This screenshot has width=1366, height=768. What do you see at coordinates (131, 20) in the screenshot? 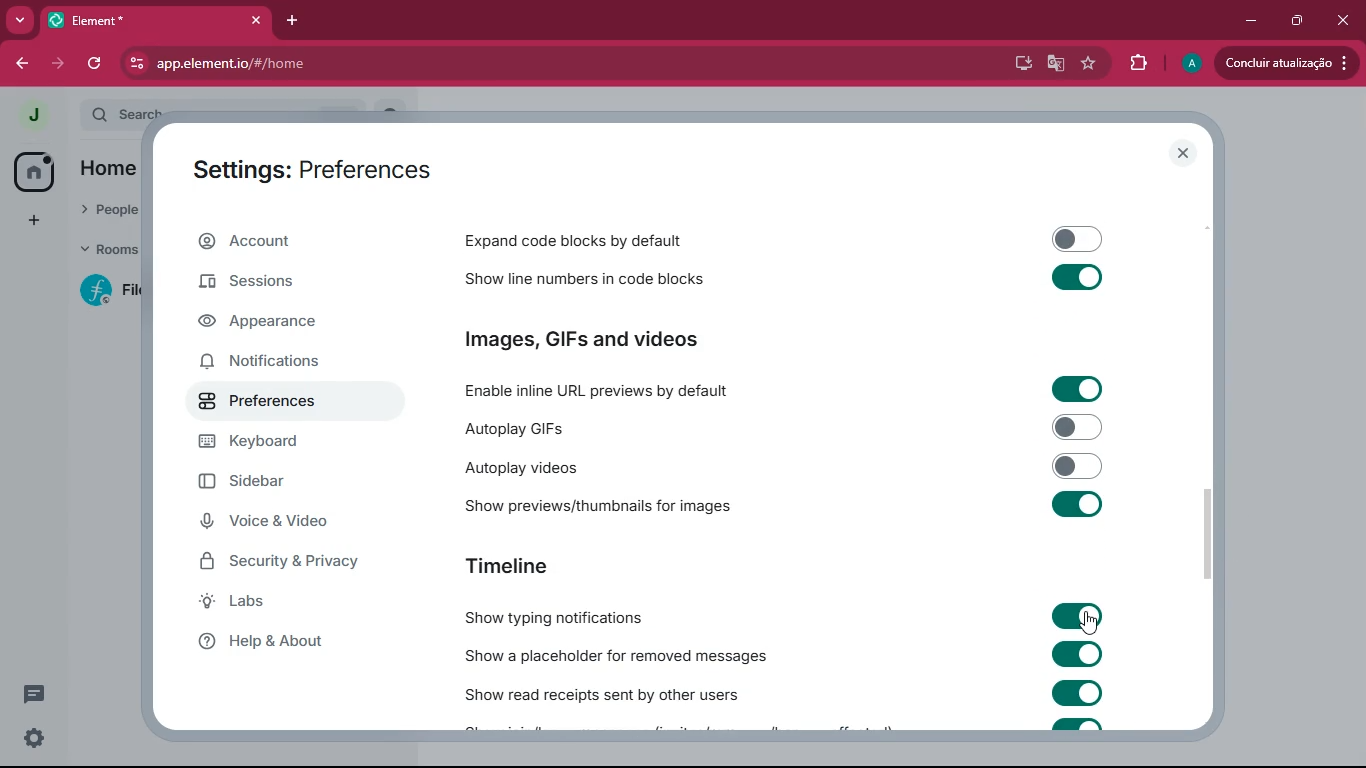
I see `tab` at bounding box center [131, 20].